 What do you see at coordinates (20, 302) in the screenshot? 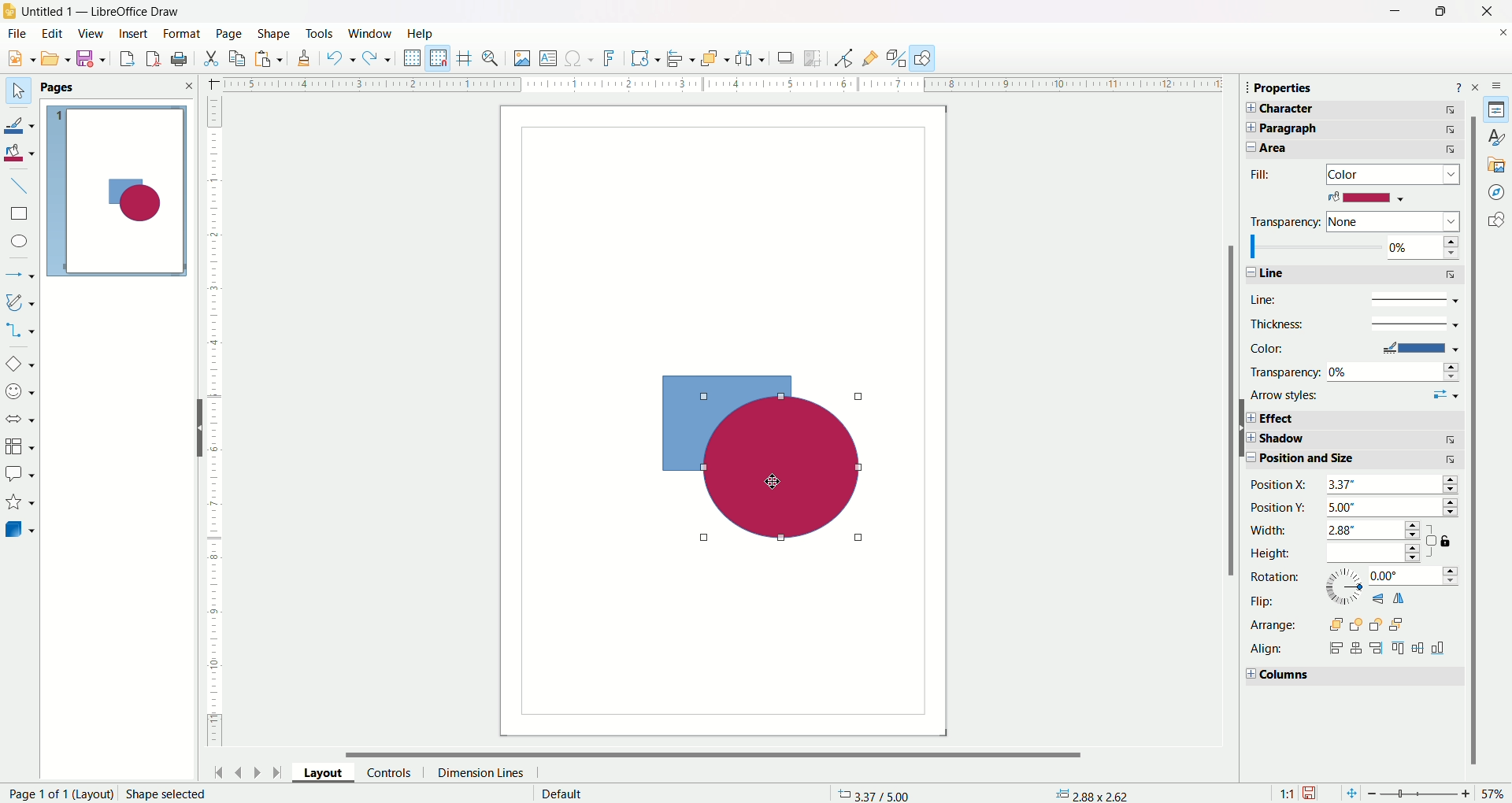
I see `curves and polygons` at bounding box center [20, 302].